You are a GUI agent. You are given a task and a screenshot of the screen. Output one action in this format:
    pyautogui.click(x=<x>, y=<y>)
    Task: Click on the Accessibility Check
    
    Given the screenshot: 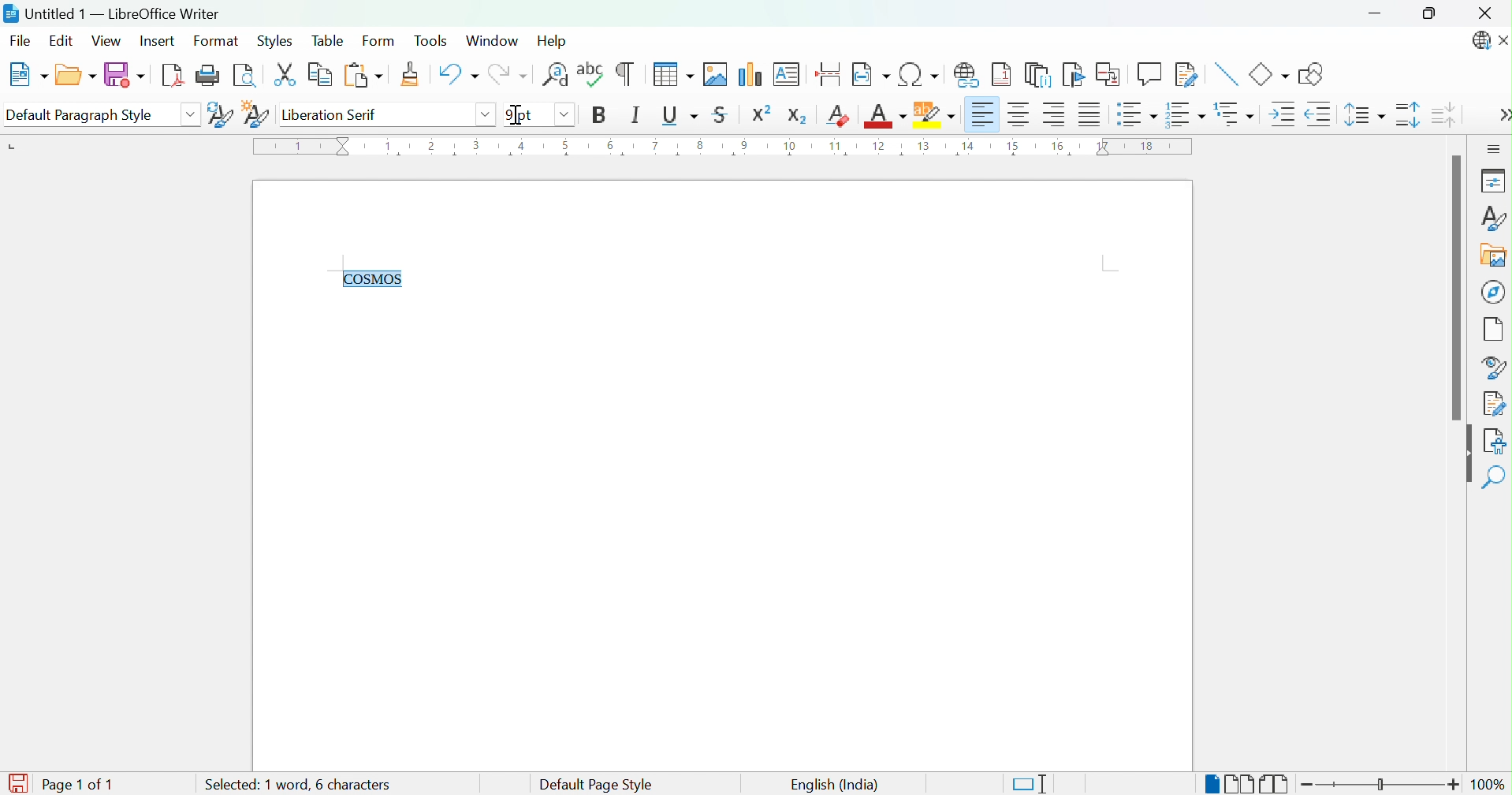 What is the action you would take?
    pyautogui.click(x=1497, y=439)
    